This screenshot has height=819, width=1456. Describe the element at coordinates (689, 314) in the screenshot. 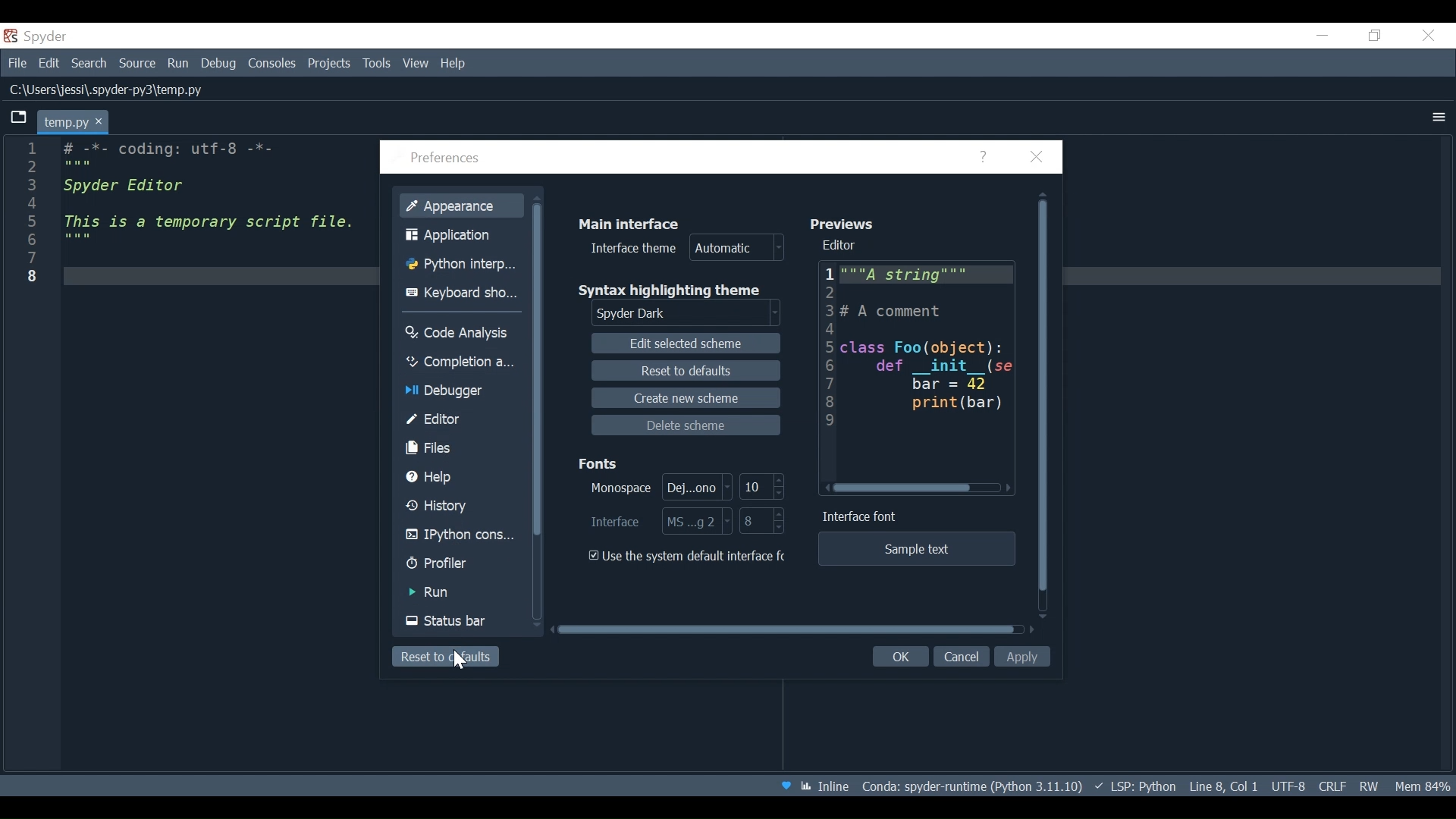

I see `Select Syntax highlighting theme` at that location.